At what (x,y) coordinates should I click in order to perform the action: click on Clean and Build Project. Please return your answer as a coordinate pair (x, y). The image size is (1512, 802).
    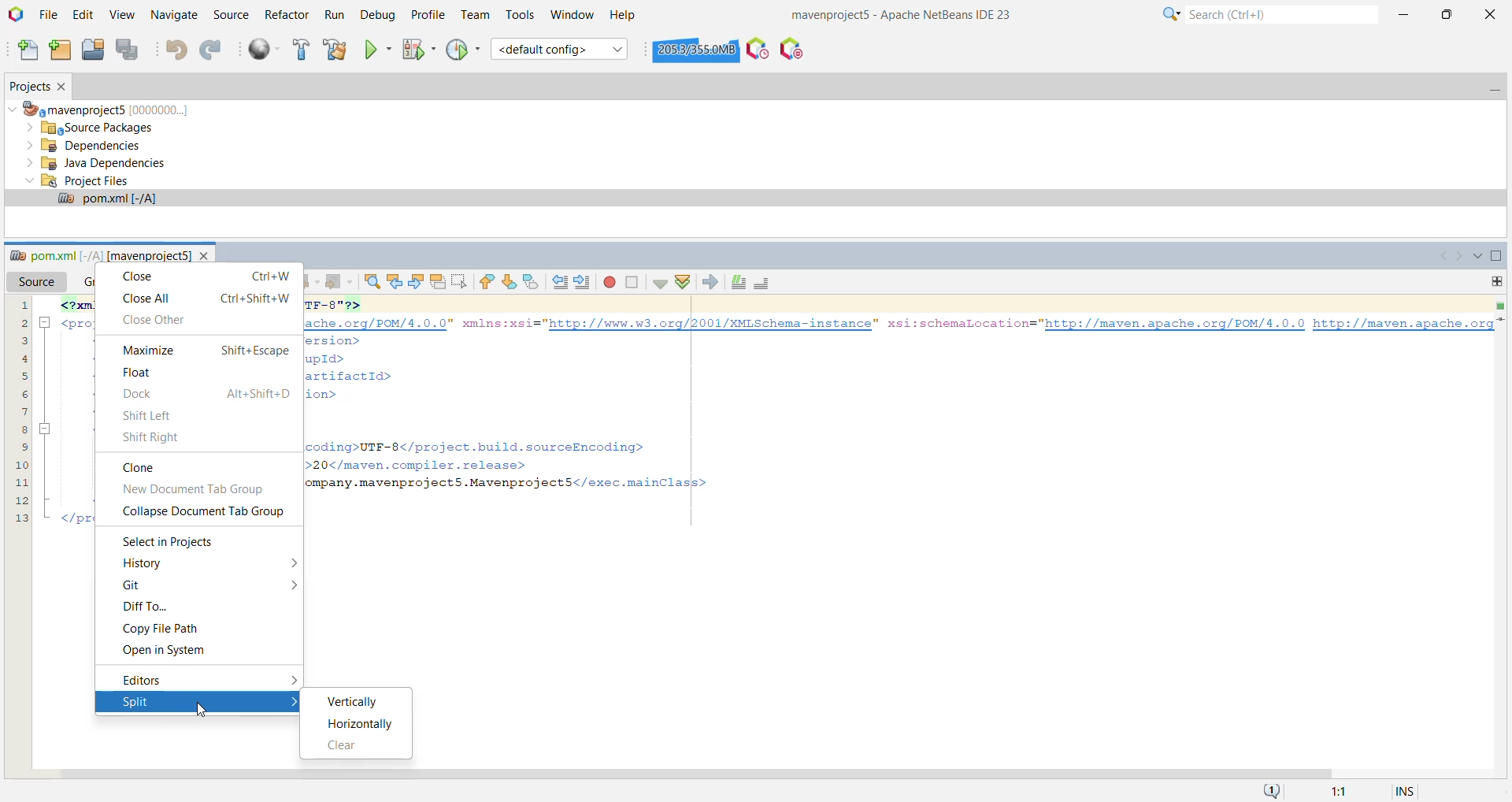
    Looking at the image, I should click on (335, 50).